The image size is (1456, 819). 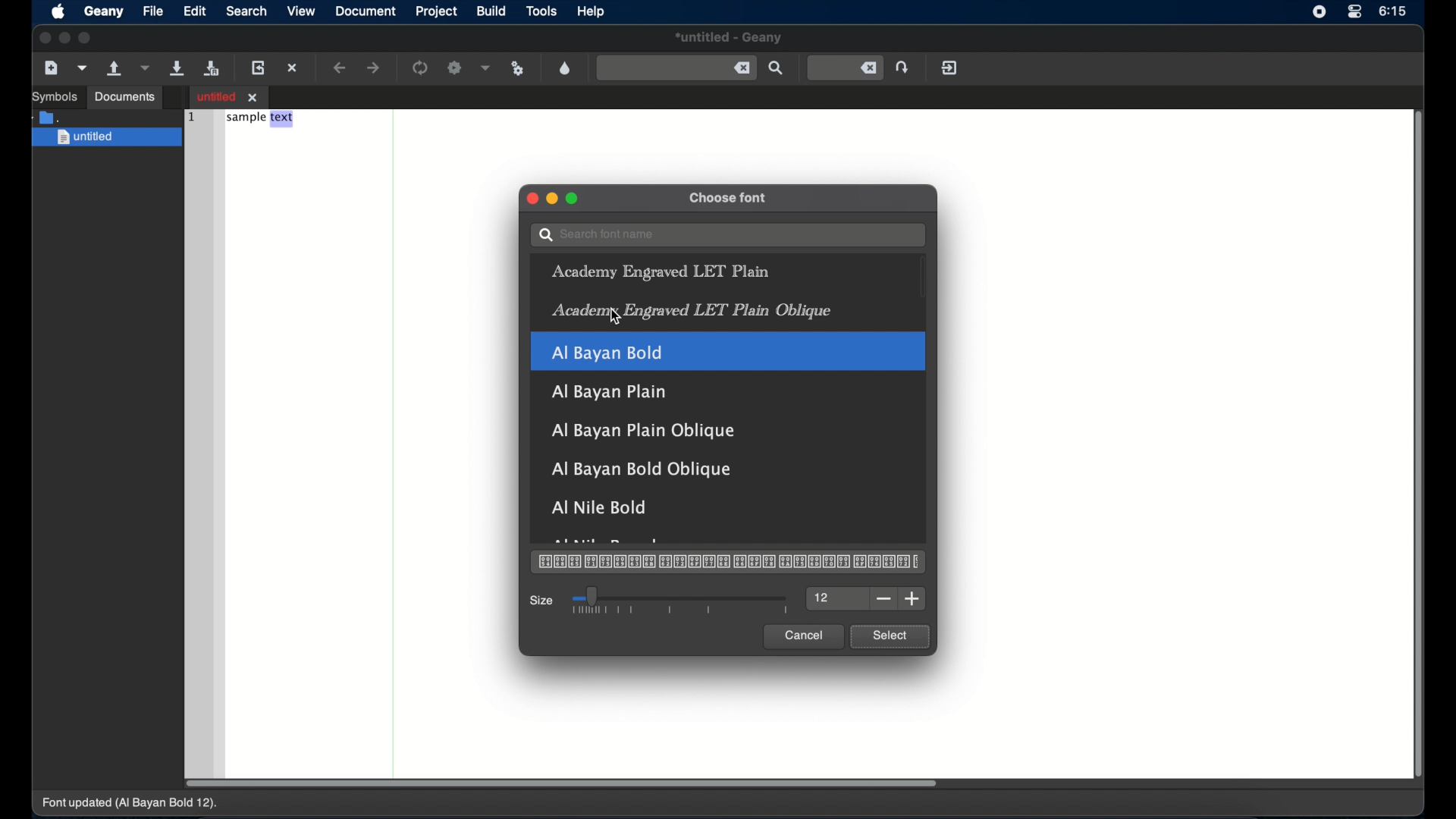 What do you see at coordinates (55, 97) in the screenshot?
I see `symbols` at bounding box center [55, 97].